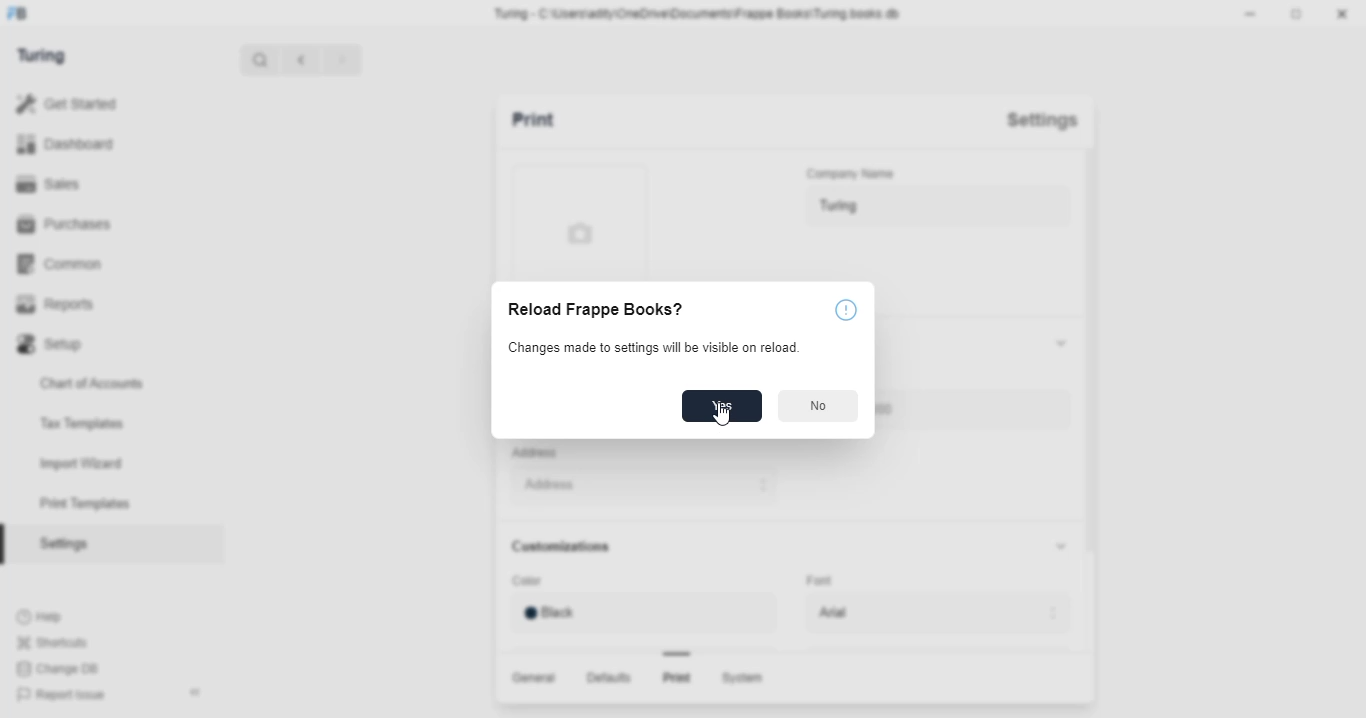 The width and height of the screenshot is (1366, 718). What do you see at coordinates (725, 419) in the screenshot?
I see `cursor` at bounding box center [725, 419].